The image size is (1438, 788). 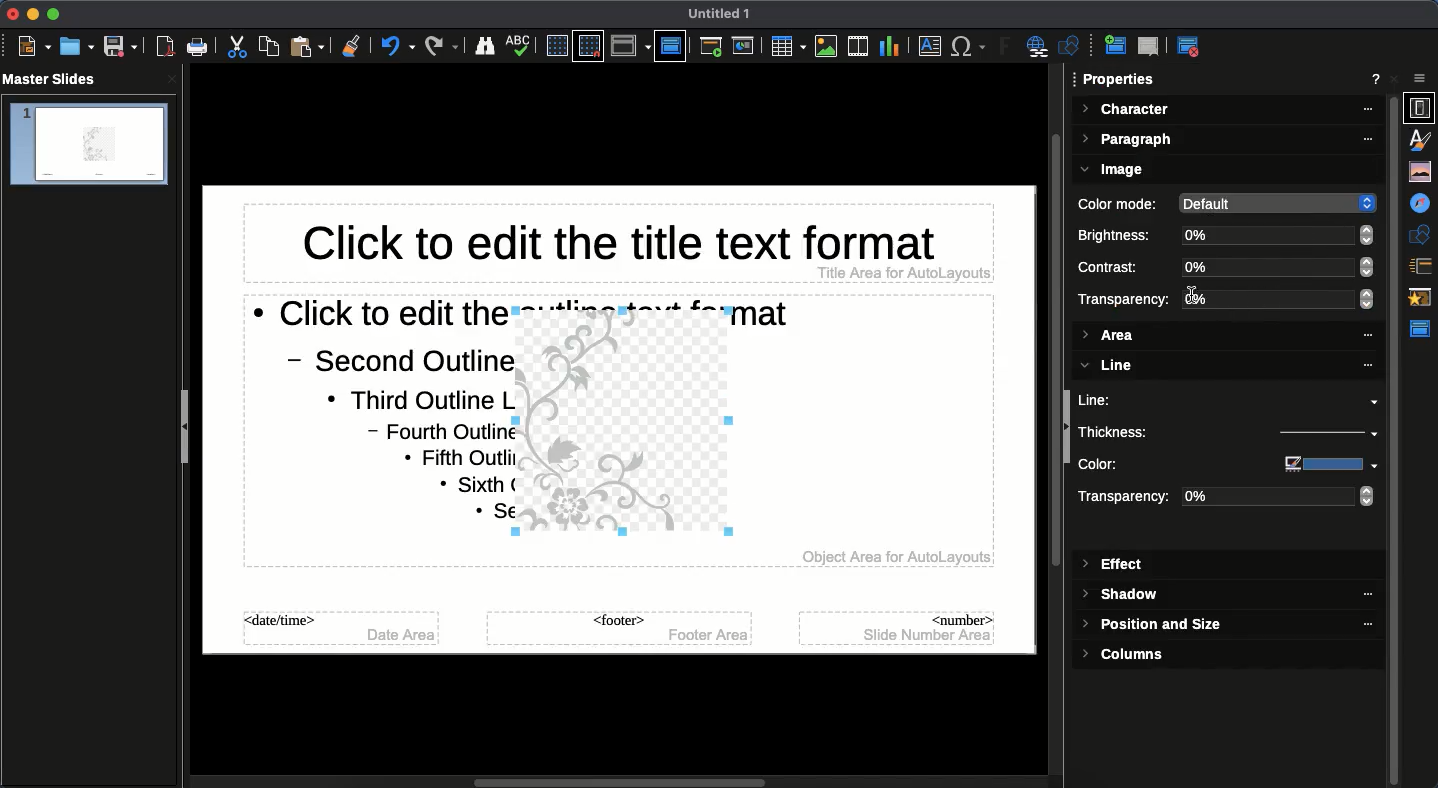 I want to click on New master, so click(x=1113, y=47).